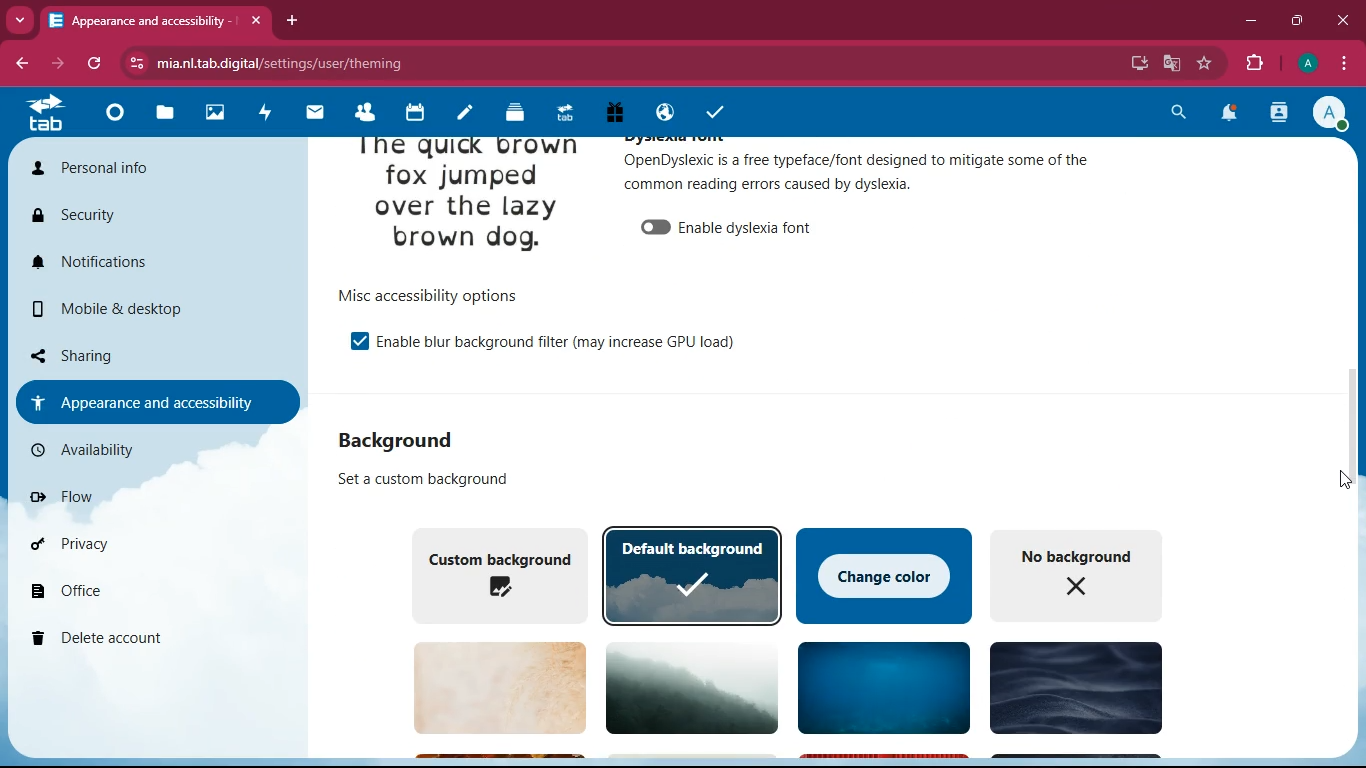 Image resolution: width=1366 pixels, height=768 pixels. Describe the element at coordinates (684, 686) in the screenshot. I see `background` at that location.